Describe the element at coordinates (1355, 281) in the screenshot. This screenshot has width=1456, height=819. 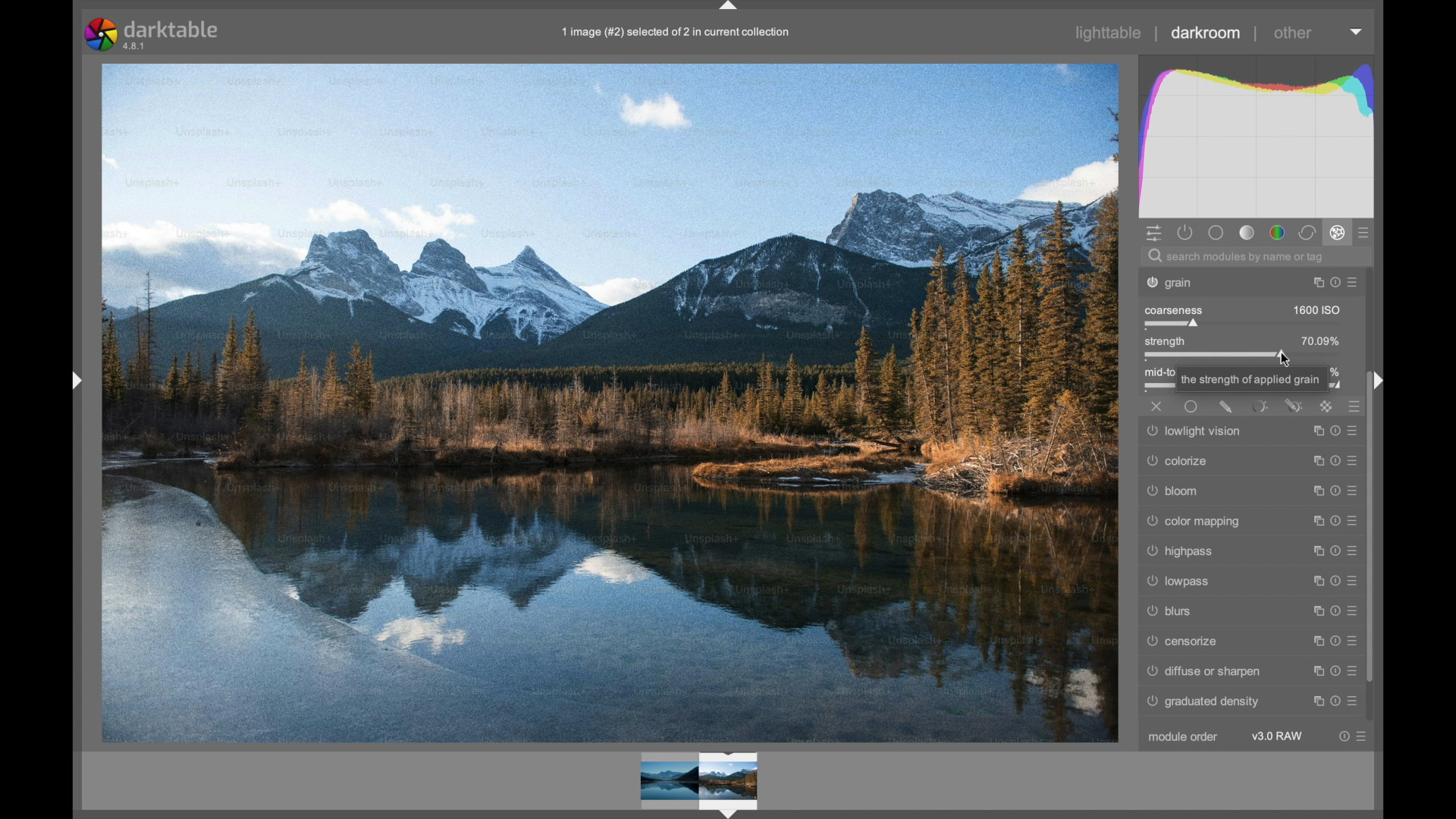
I see `presets` at that location.